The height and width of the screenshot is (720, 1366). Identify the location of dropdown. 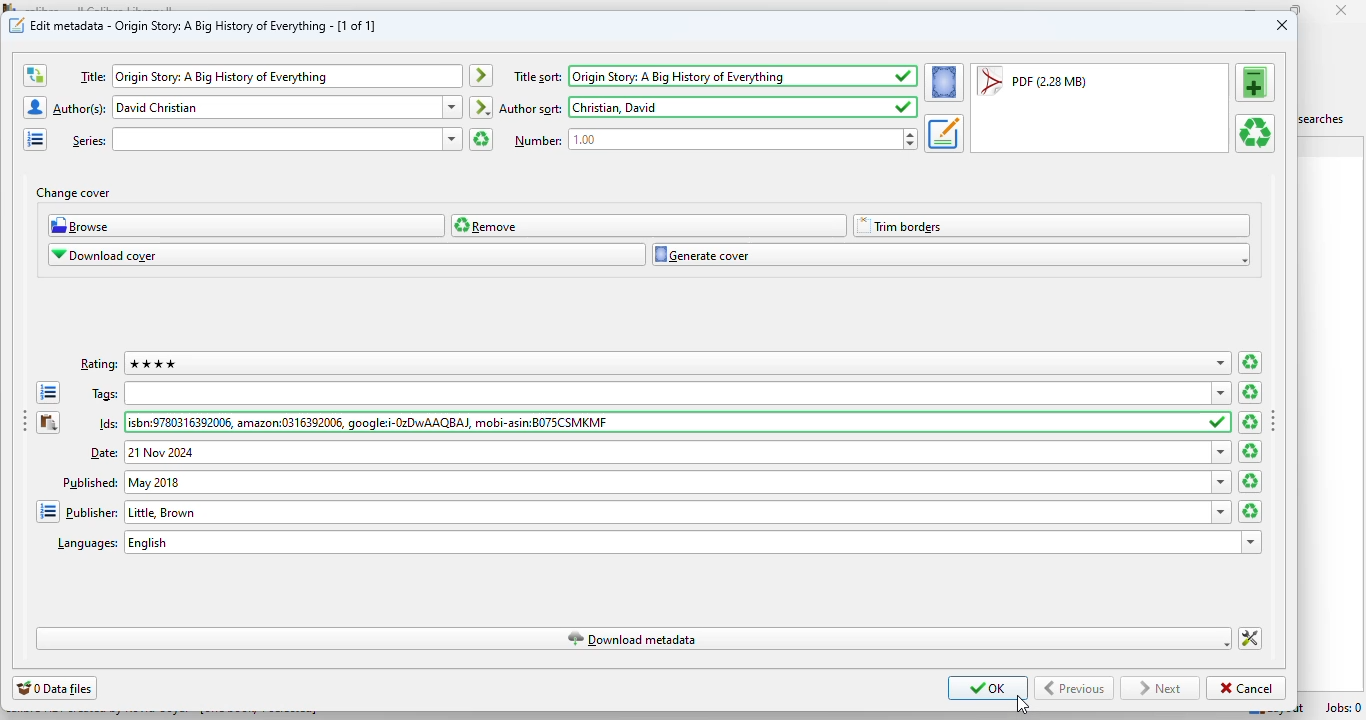
(1253, 542).